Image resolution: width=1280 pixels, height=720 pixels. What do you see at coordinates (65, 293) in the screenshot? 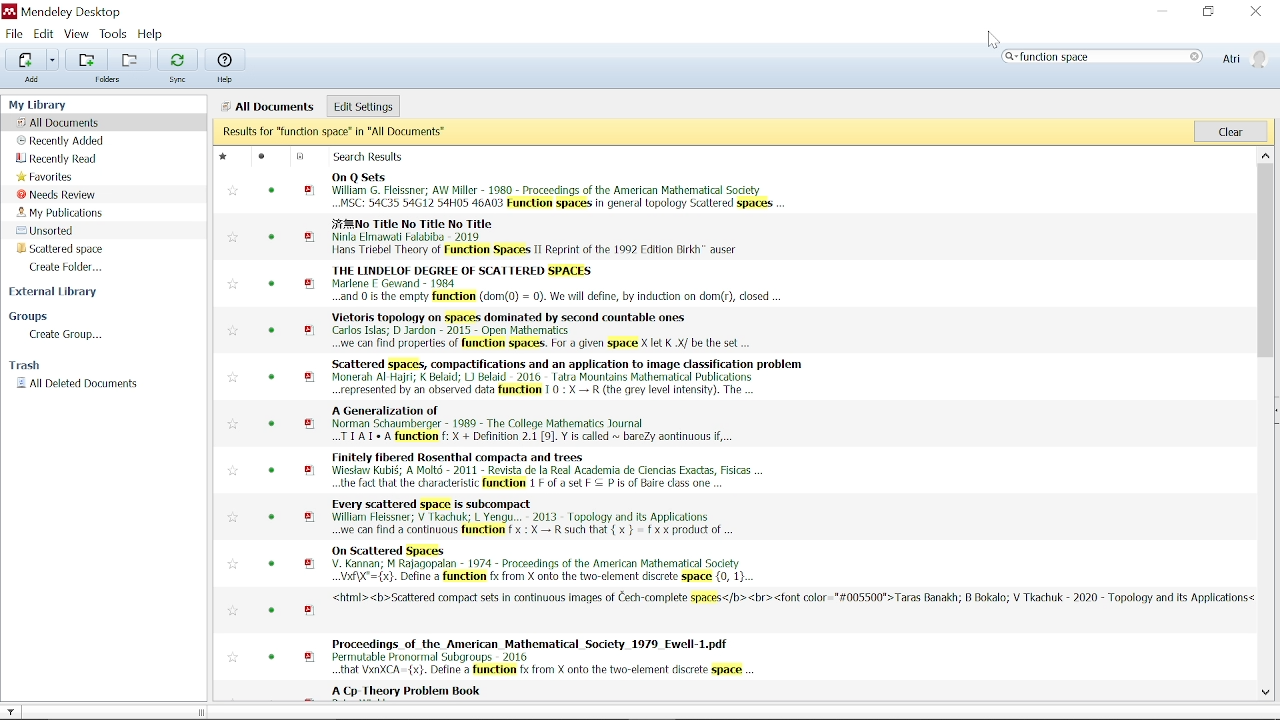
I see `External library` at bounding box center [65, 293].